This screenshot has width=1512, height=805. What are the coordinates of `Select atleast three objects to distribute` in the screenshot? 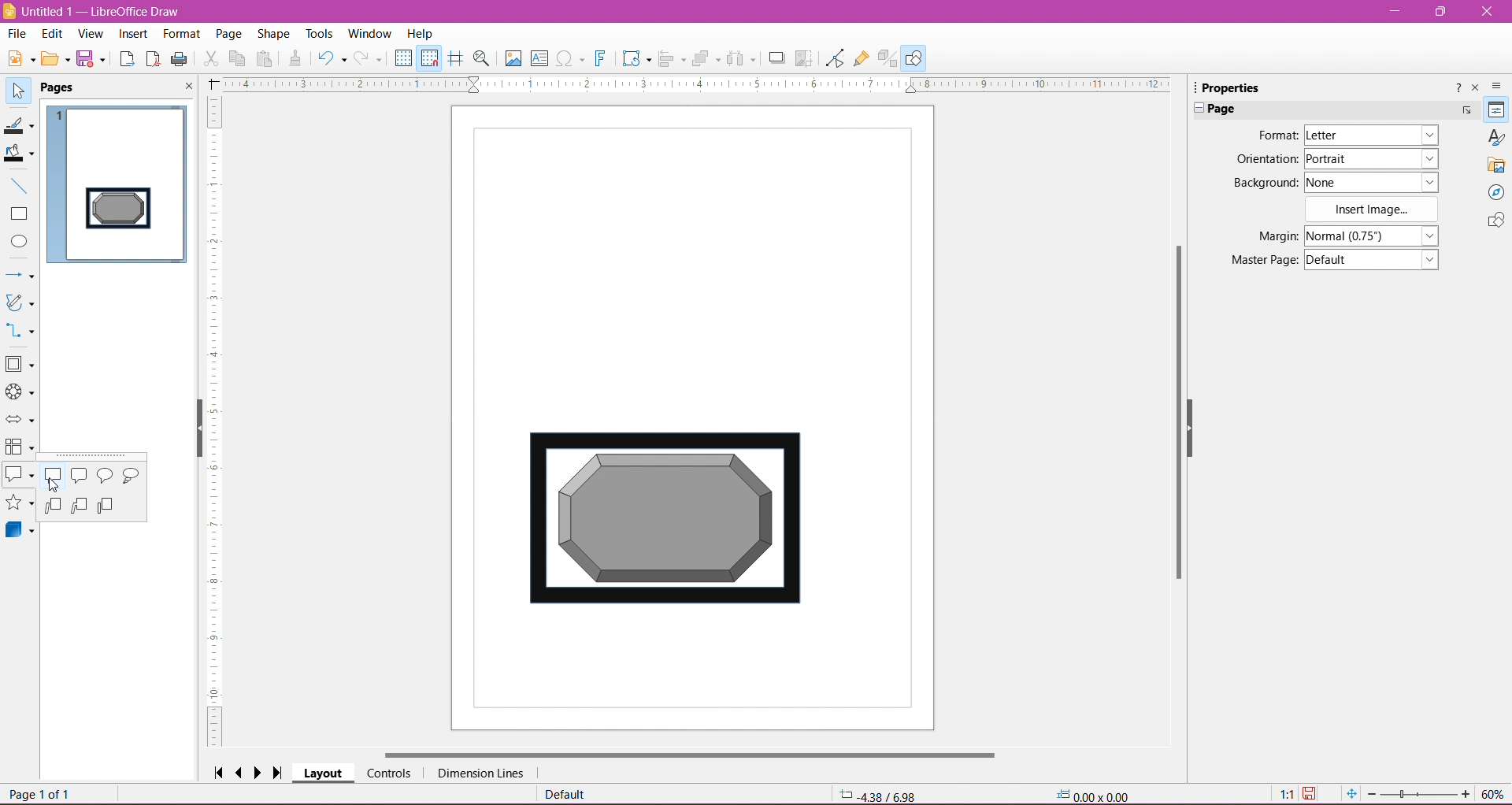 It's located at (741, 58).